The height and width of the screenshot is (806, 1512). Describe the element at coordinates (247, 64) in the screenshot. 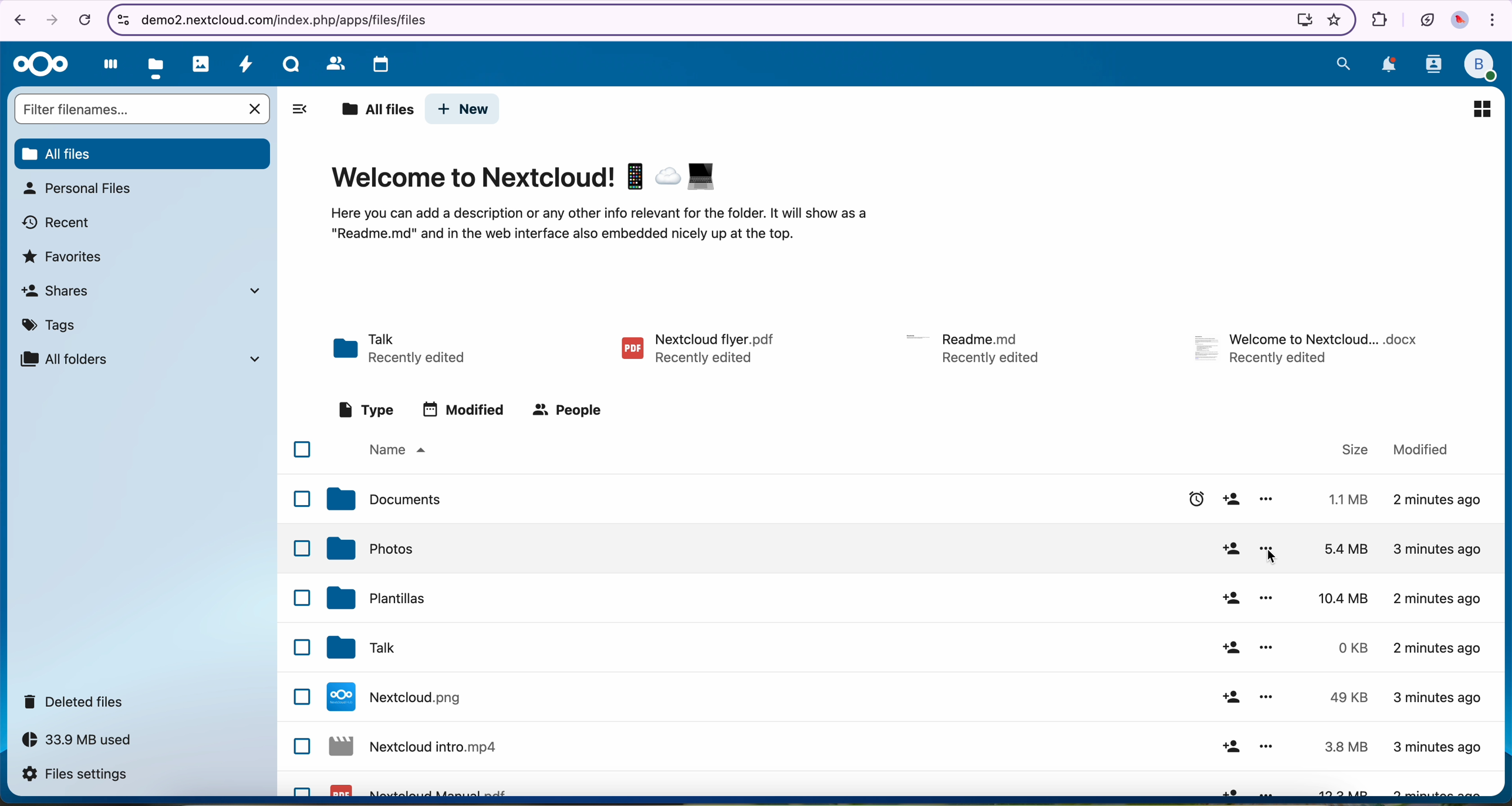

I see `activity` at that location.